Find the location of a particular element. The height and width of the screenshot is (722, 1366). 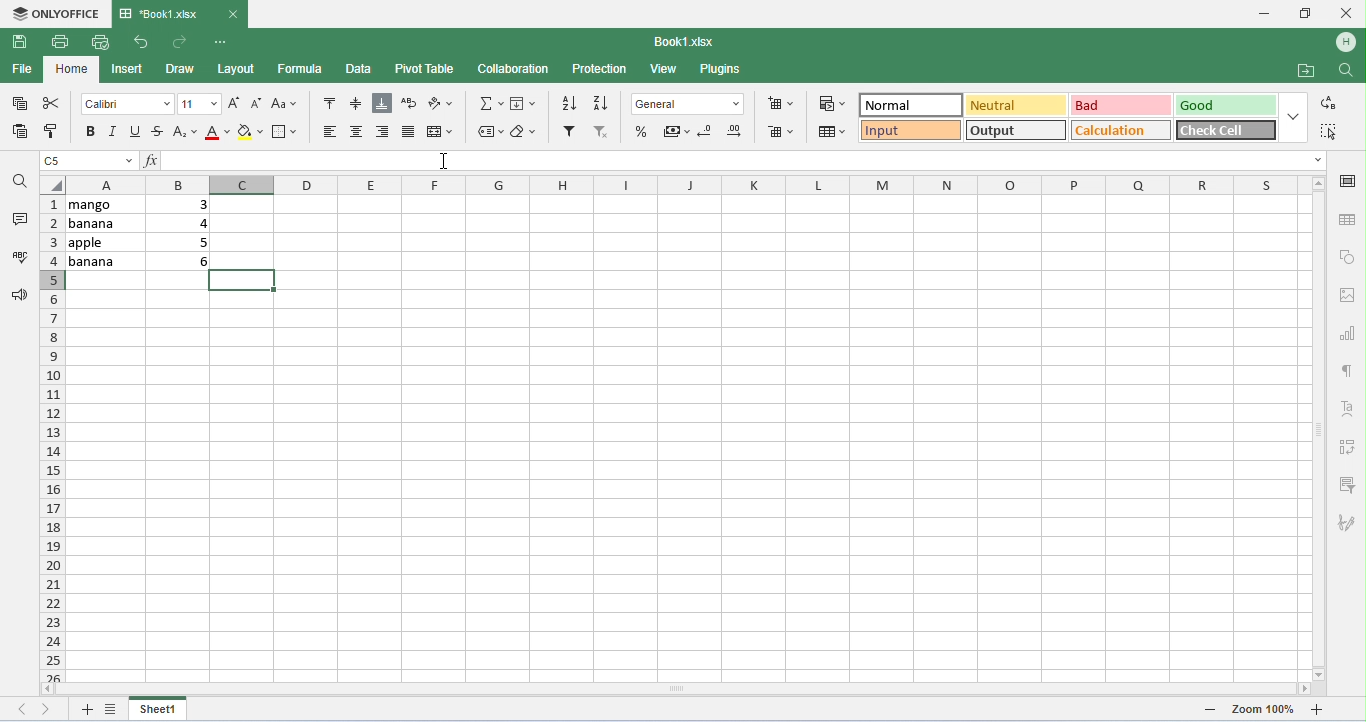

select all is located at coordinates (1331, 132).